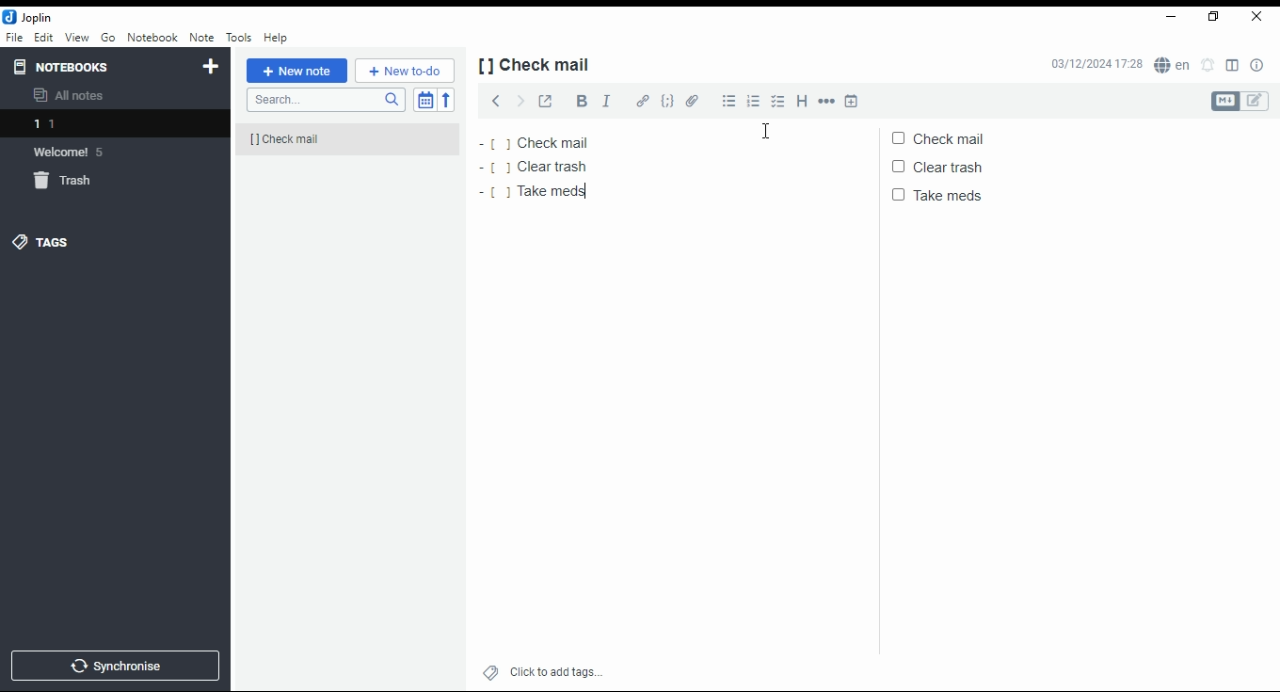  Describe the element at coordinates (541, 64) in the screenshot. I see `[] check mail` at that location.